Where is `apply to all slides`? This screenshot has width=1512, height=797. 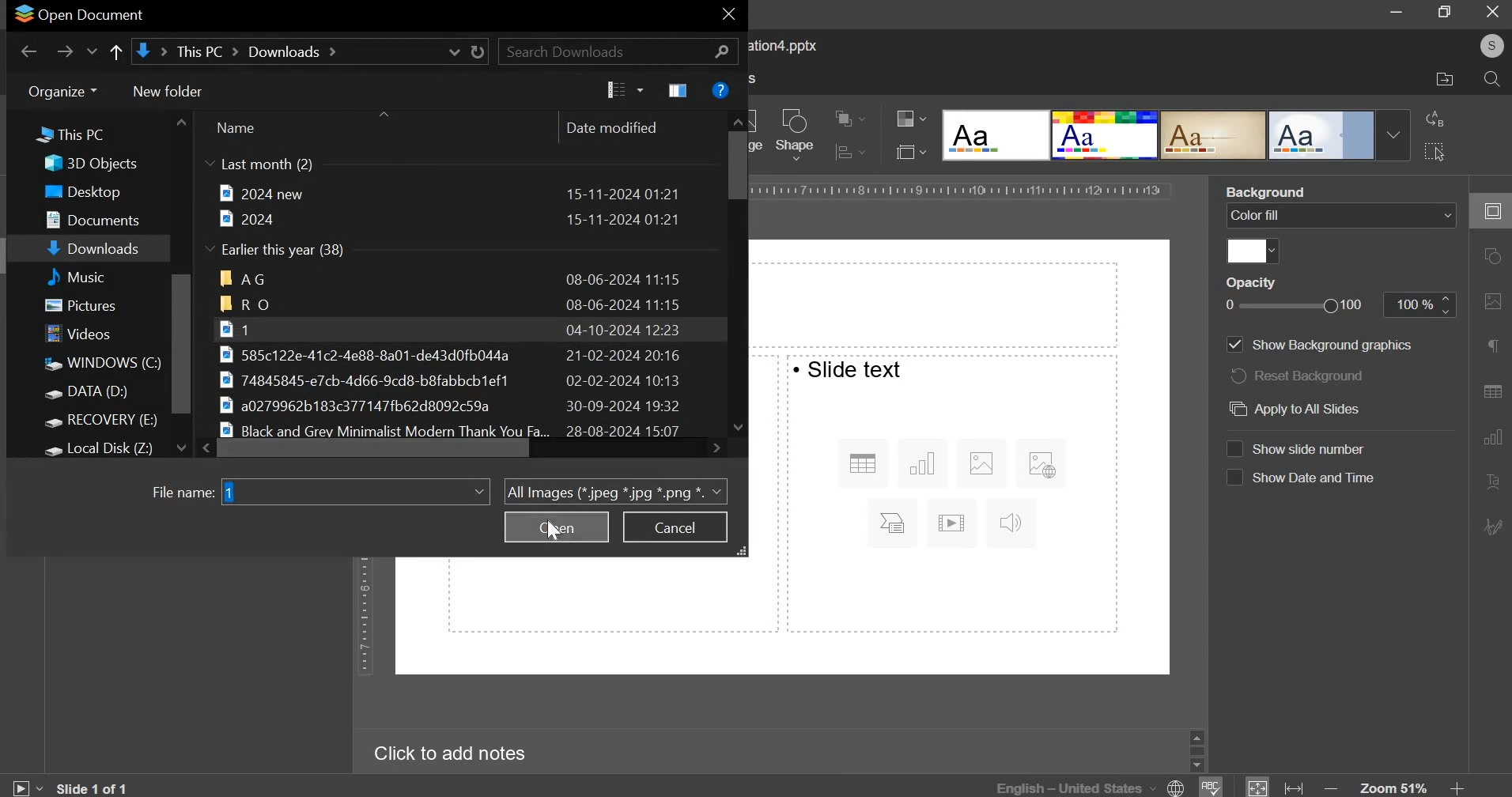 apply to all slides is located at coordinates (1292, 410).